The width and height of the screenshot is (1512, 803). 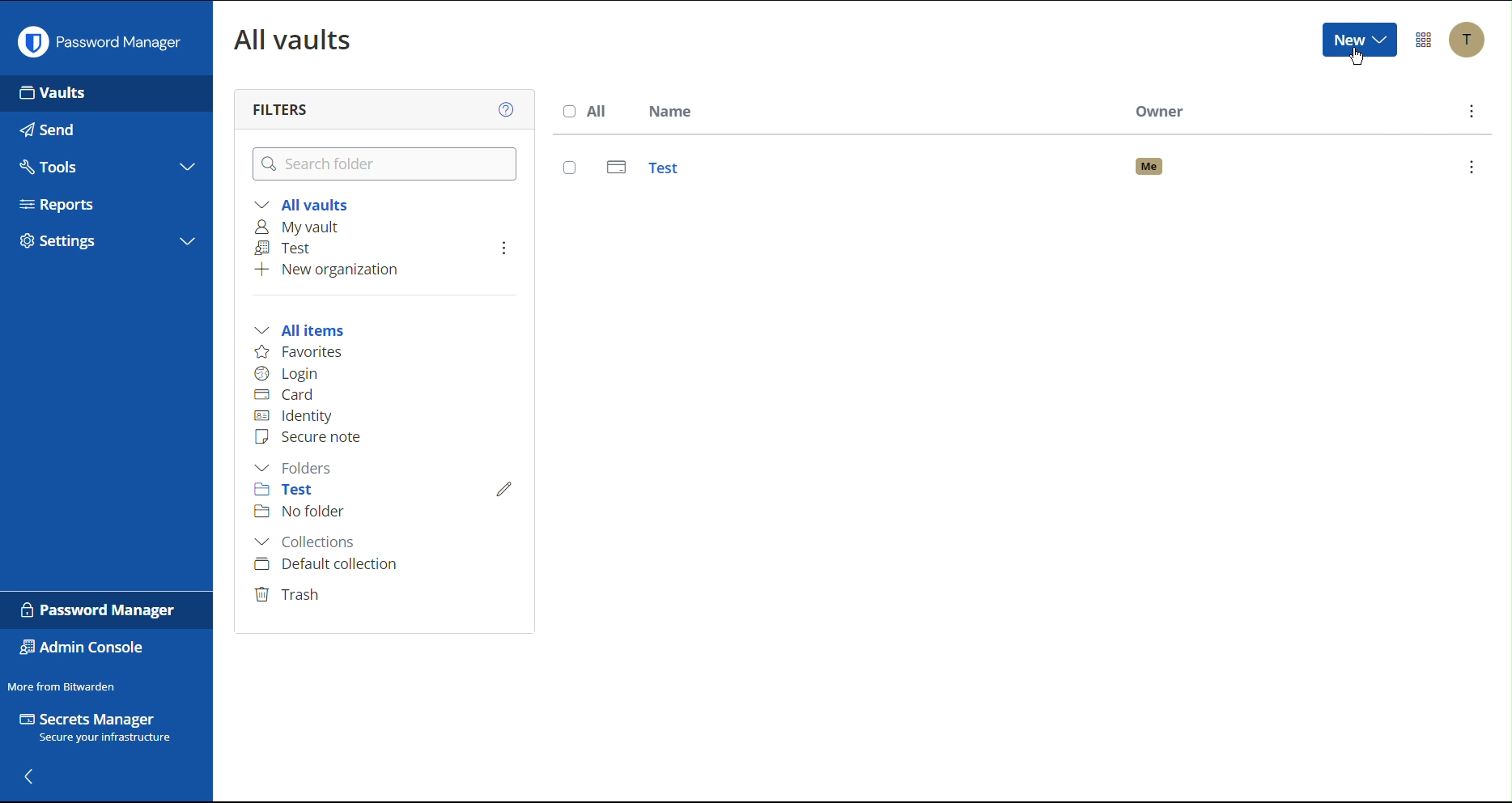 What do you see at coordinates (295, 416) in the screenshot?
I see `Identity` at bounding box center [295, 416].